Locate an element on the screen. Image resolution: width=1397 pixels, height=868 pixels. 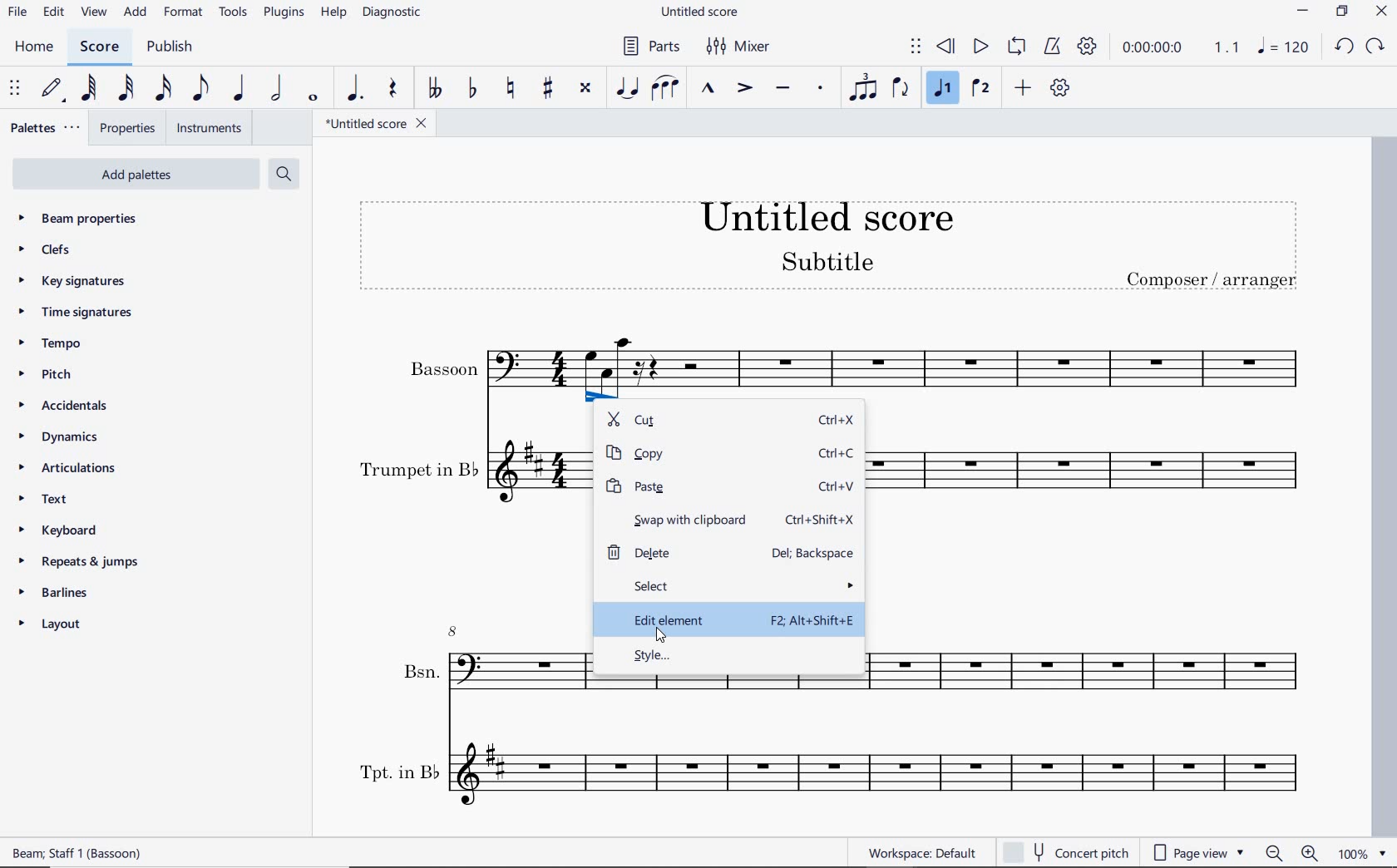
Trumpet in B is located at coordinates (471, 483).